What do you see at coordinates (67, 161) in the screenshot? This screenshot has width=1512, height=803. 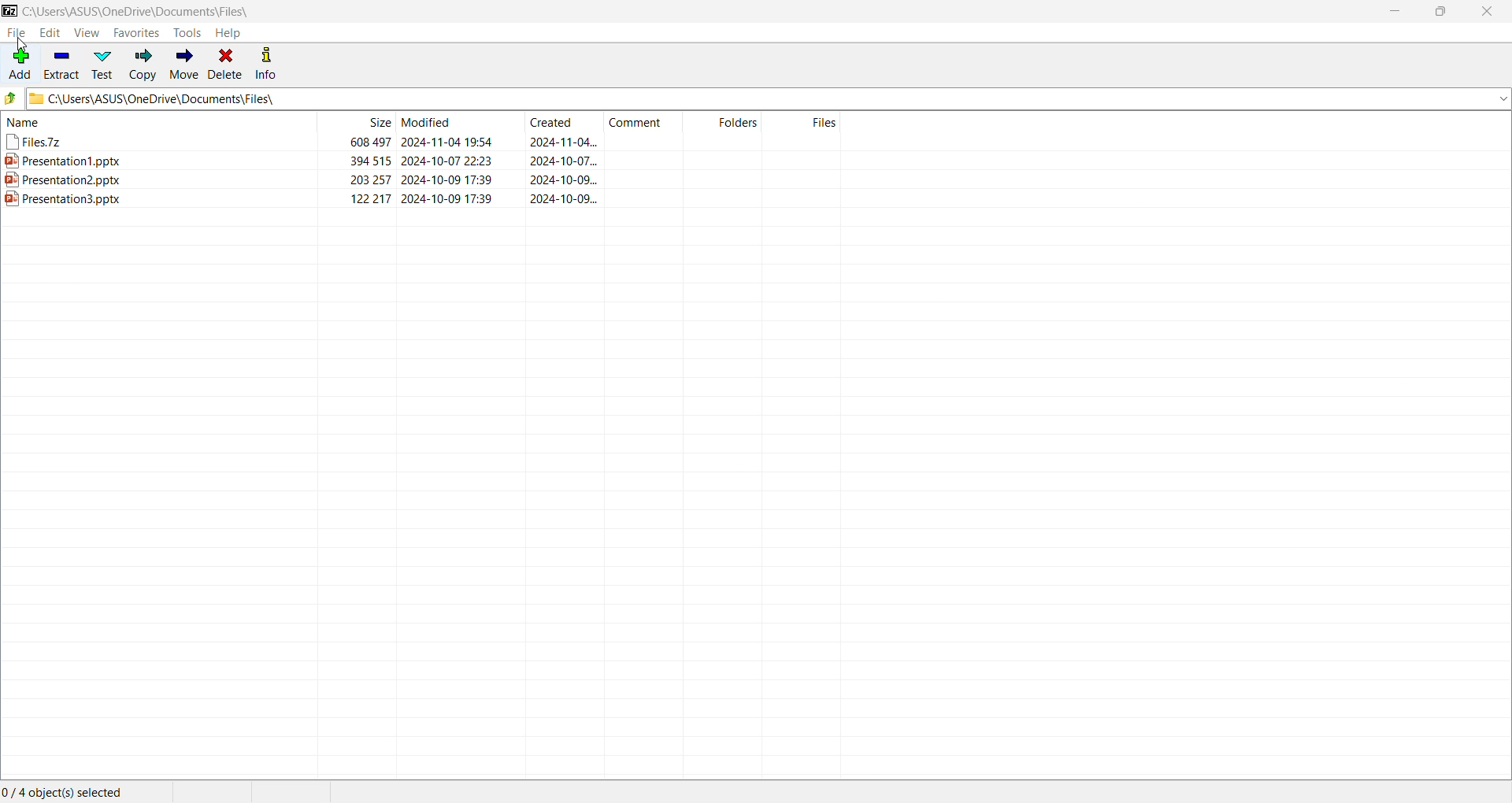 I see `3%) Presentation 1.pptx` at bounding box center [67, 161].